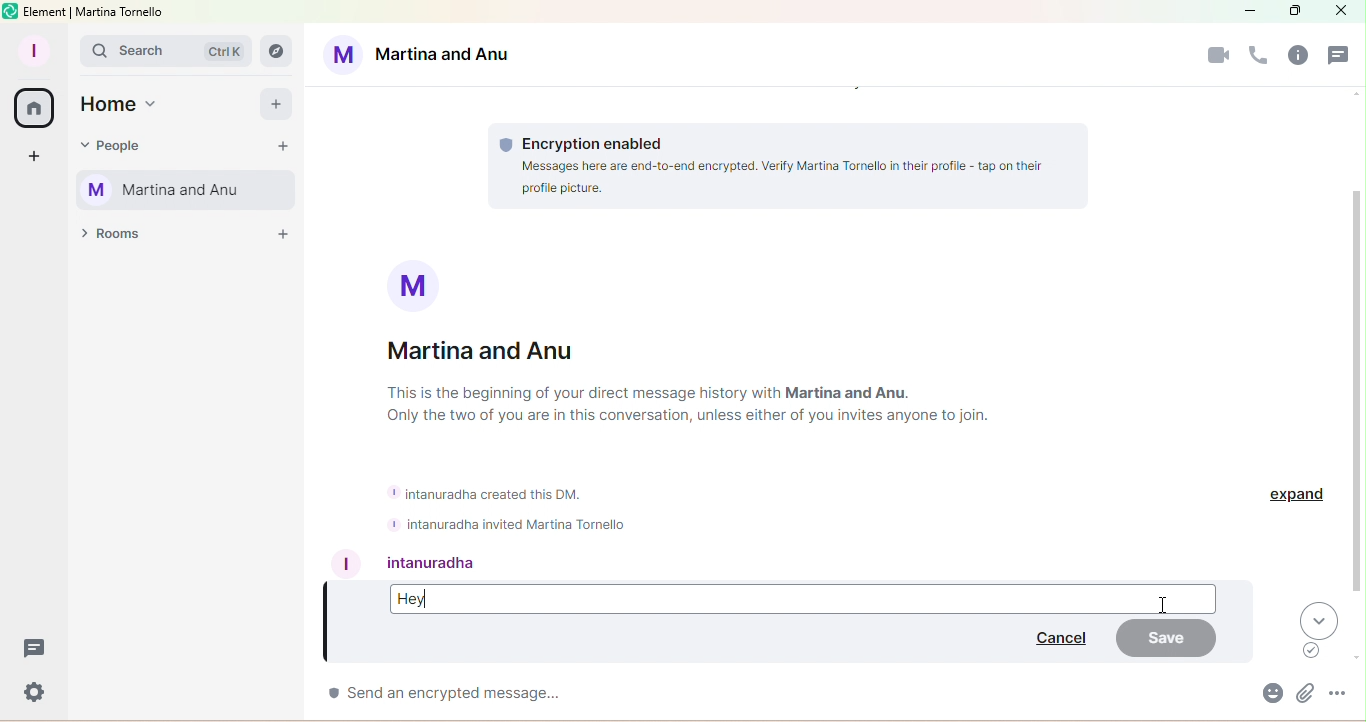  I want to click on Threads, so click(33, 655).